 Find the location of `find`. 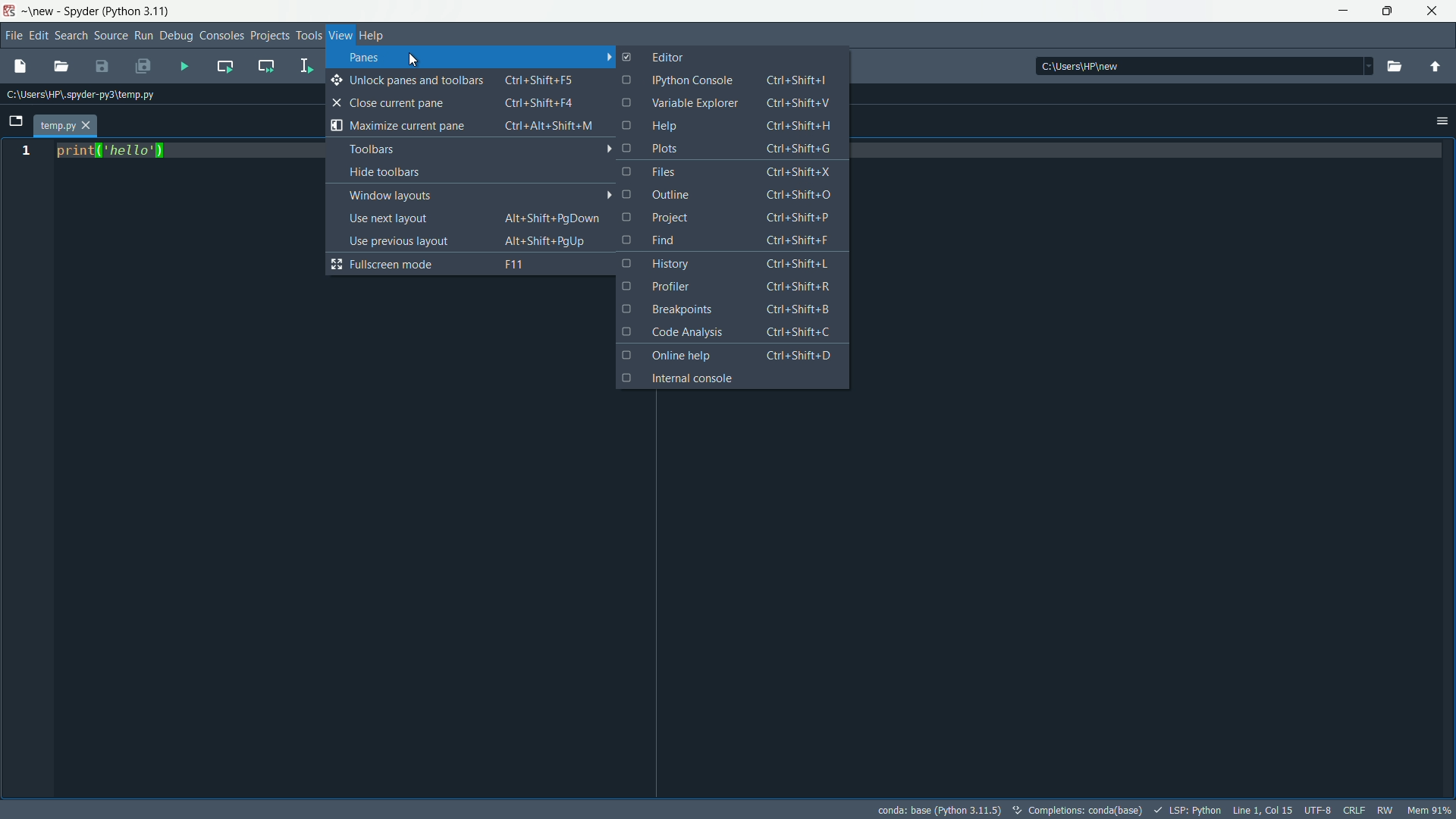

find is located at coordinates (733, 242).